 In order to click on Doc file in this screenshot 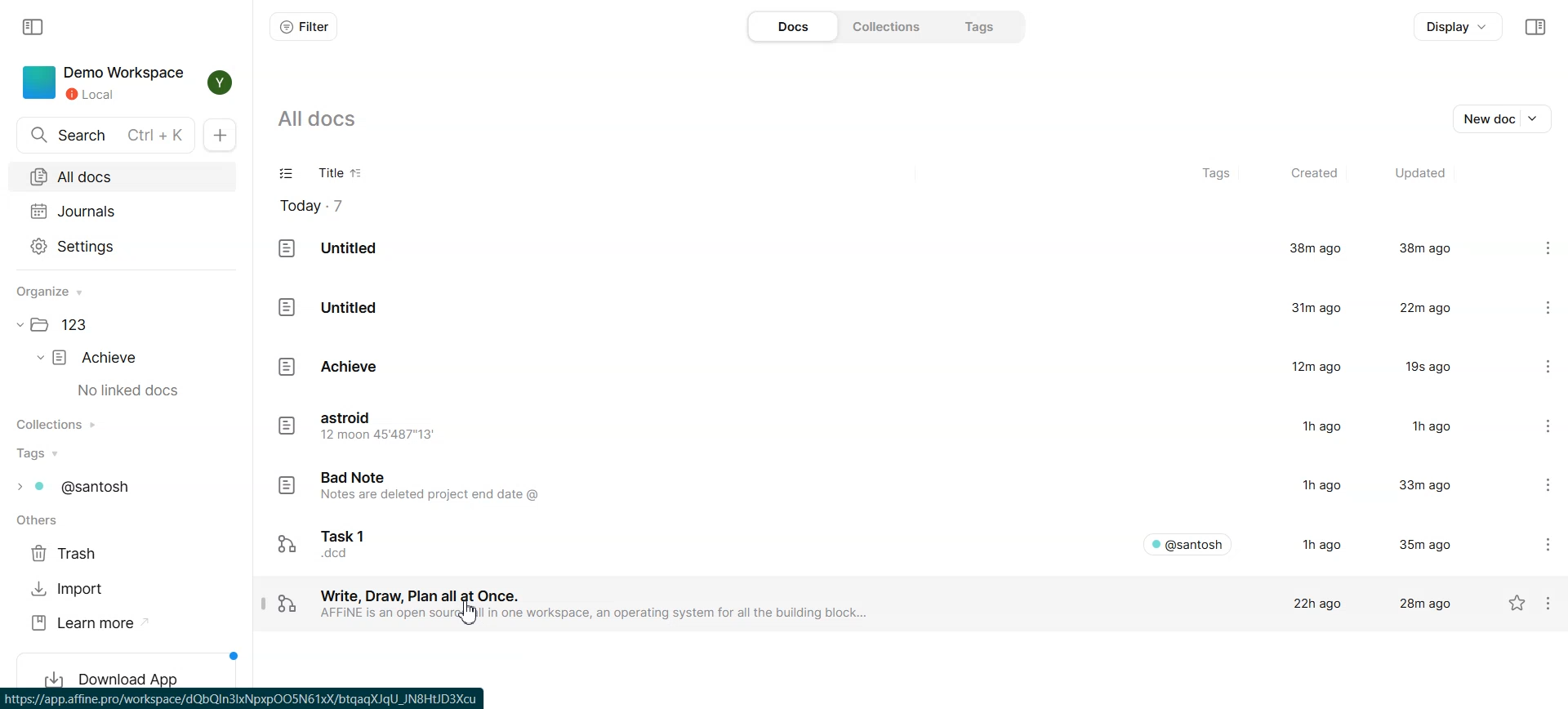, I will do `click(878, 367)`.